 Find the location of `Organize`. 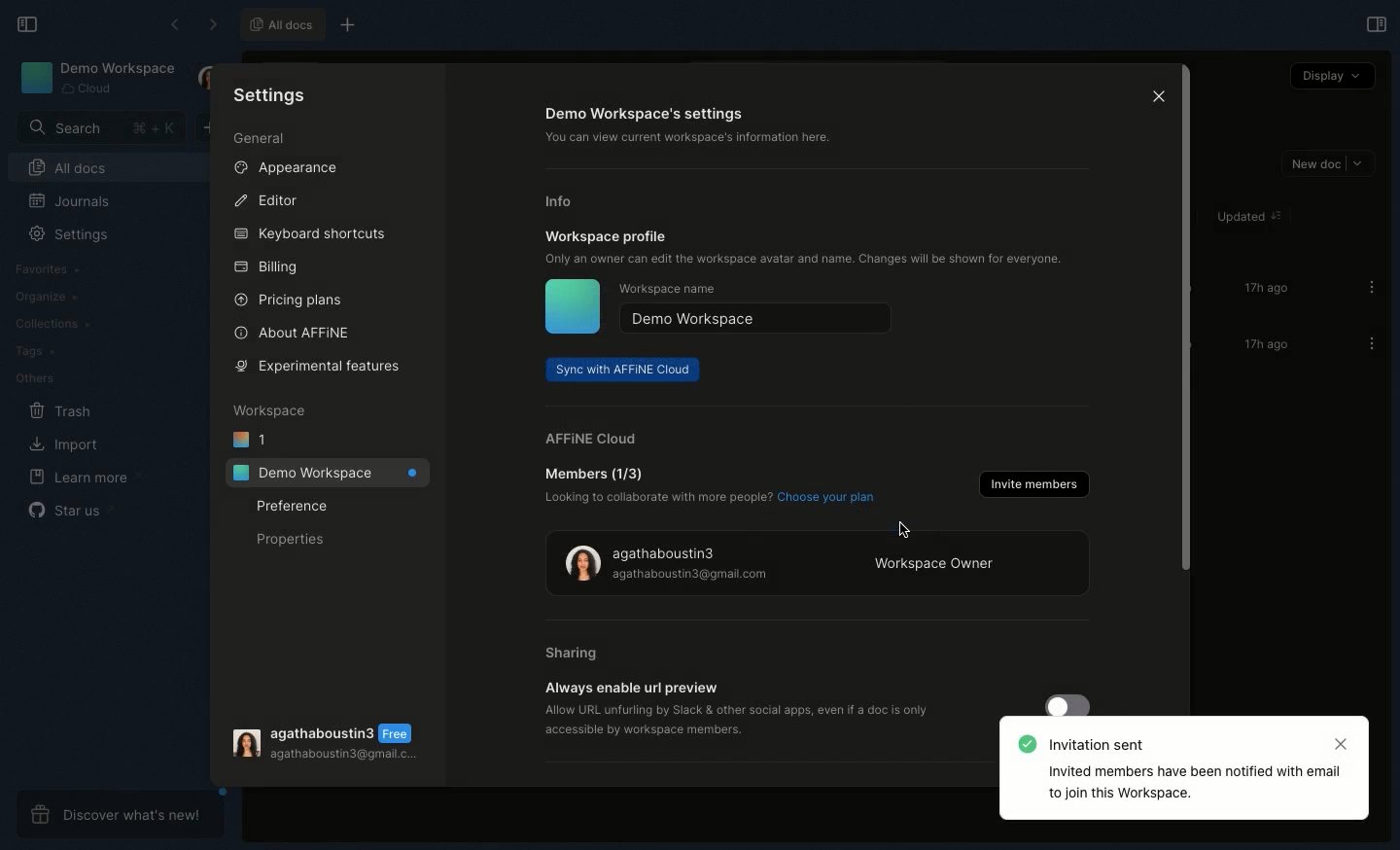

Organize is located at coordinates (45, 295).